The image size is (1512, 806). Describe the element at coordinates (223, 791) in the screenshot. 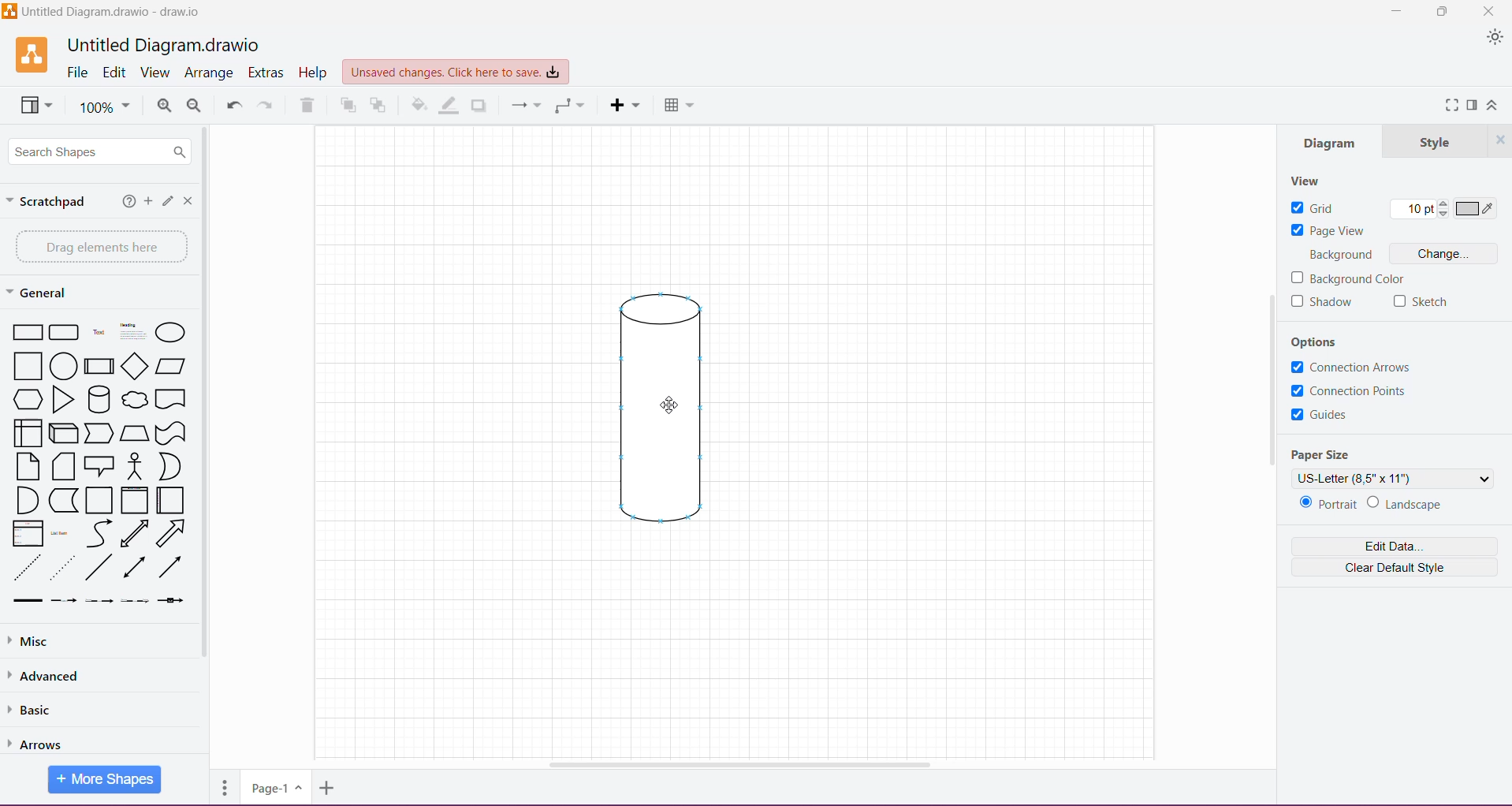

I see `Pages` at that location.